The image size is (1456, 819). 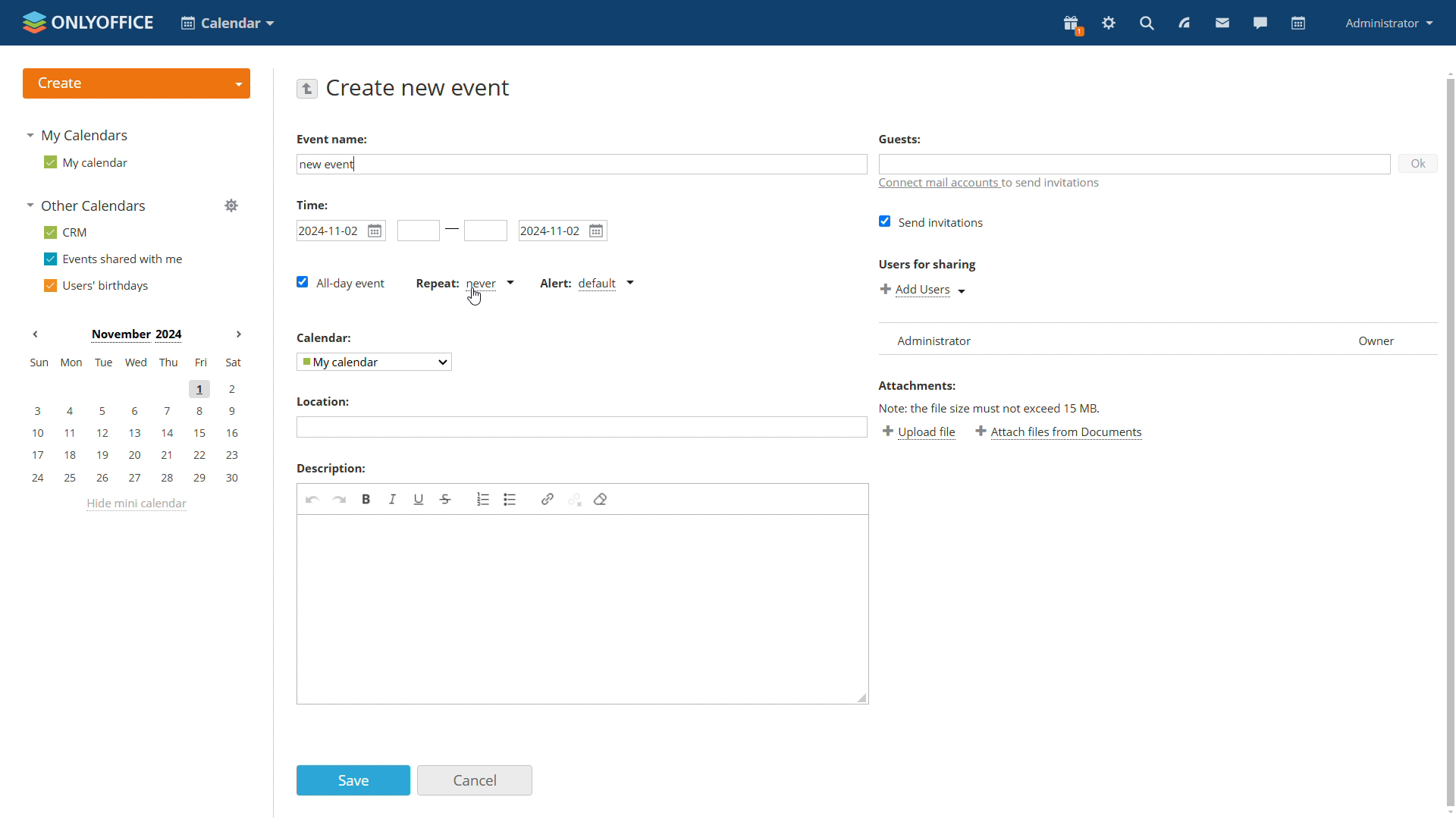 What do you see at coordinates (1072, 26) in the screenshot?
I see `present` at bounding box center [1072, 26].